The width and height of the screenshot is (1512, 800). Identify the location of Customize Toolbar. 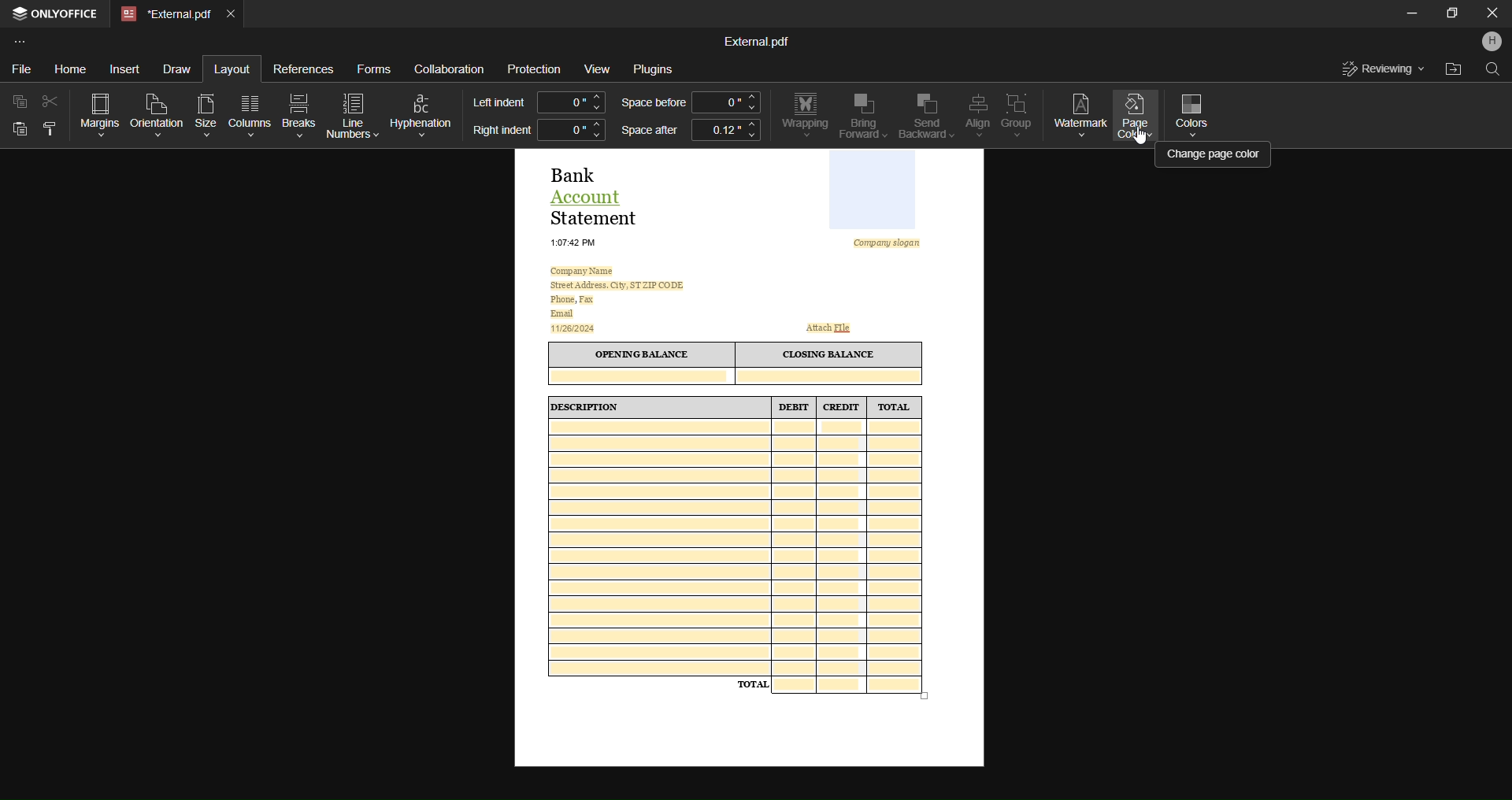
(20, 42).